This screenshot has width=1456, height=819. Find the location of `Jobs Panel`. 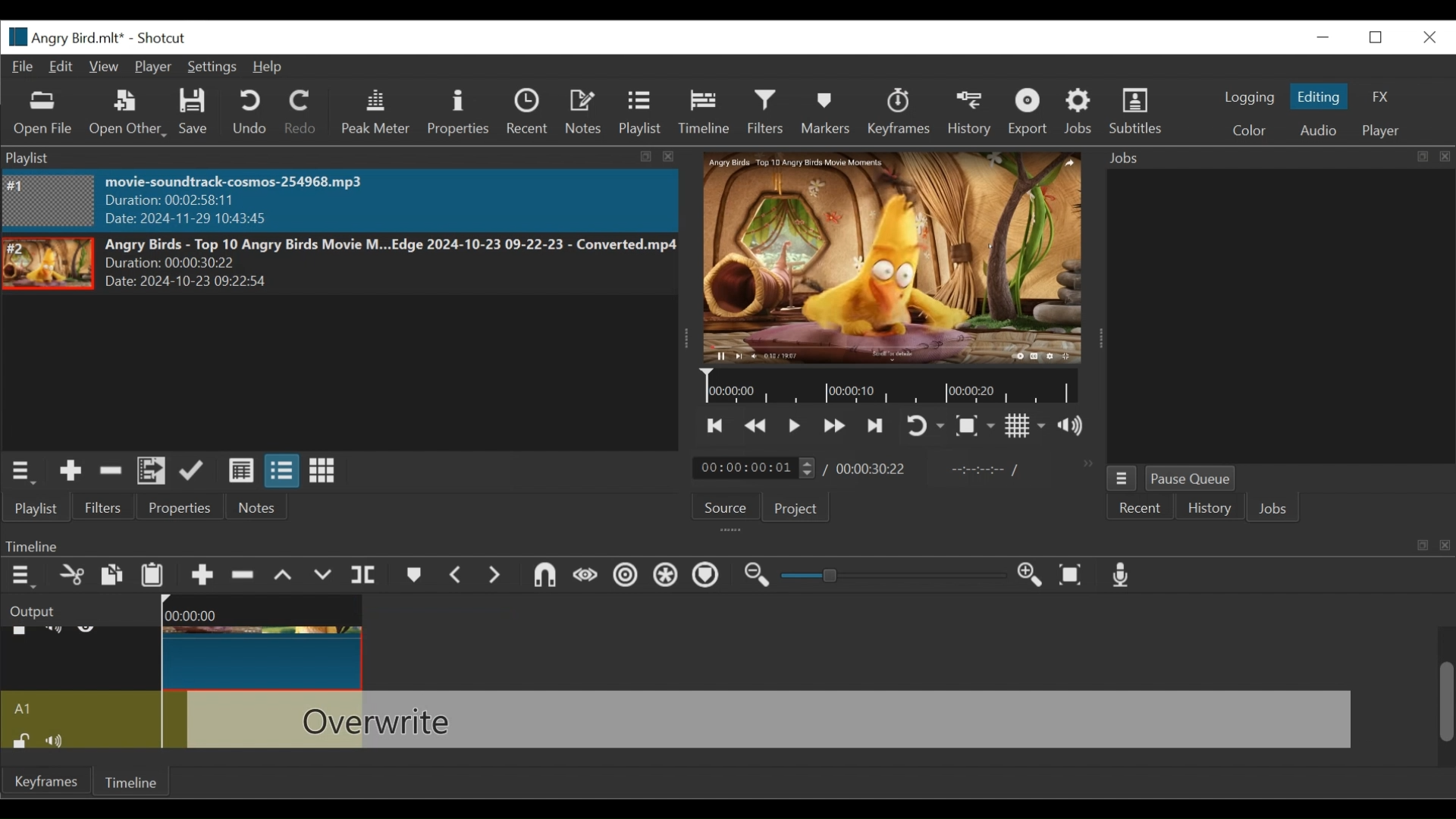

Jobs Panel is located at coordinates (1265, 317).